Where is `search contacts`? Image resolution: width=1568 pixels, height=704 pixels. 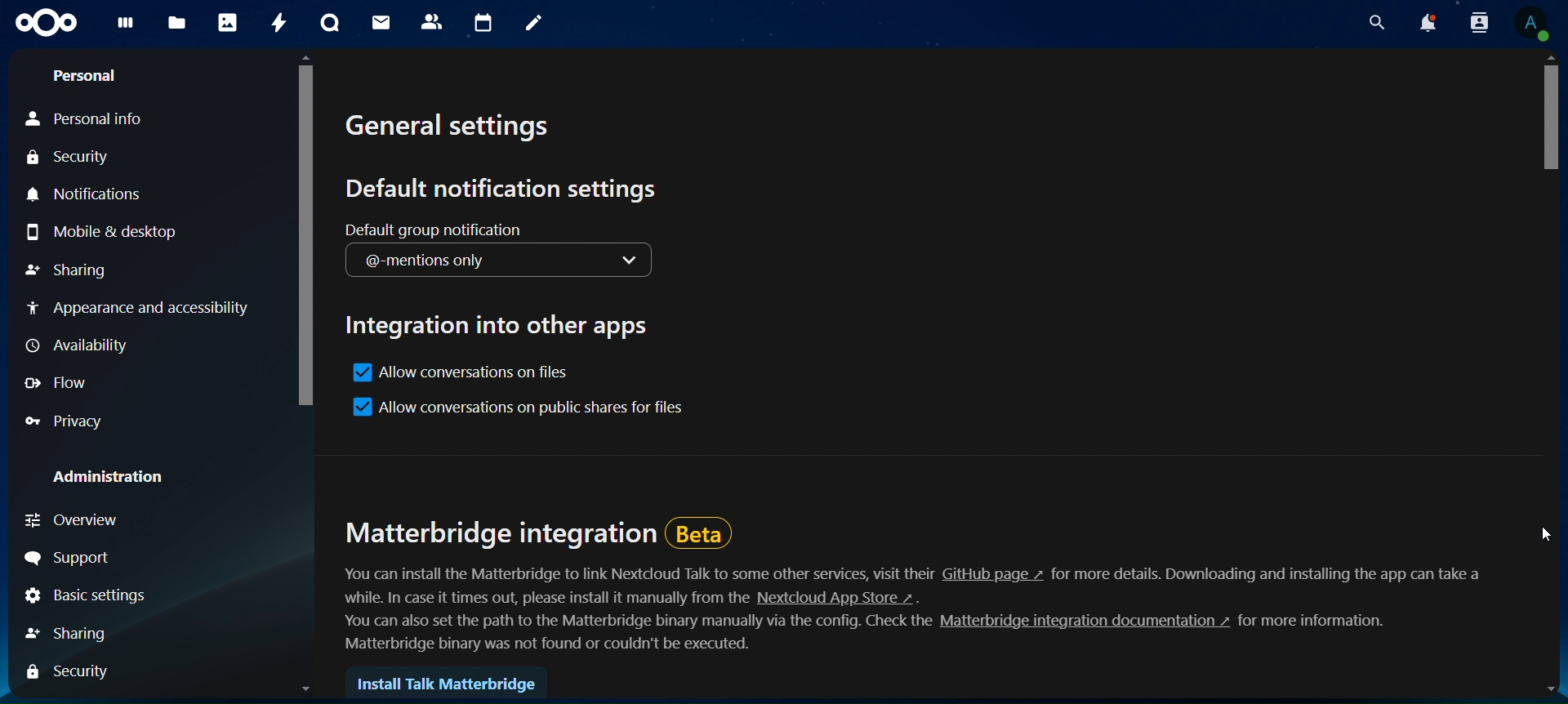
search contacts is located at coordinates (1477, 23).